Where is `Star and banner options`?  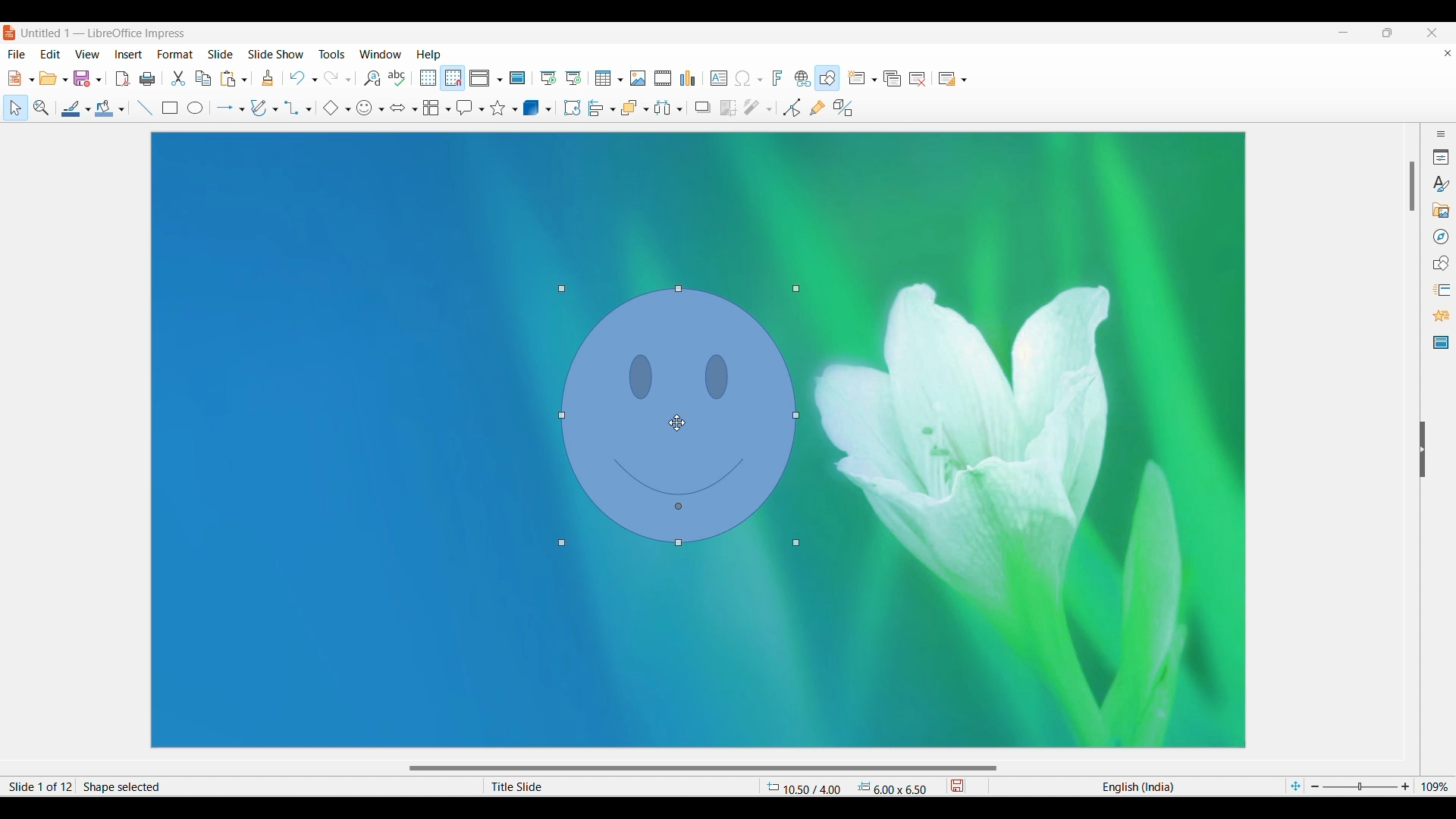 Star and banner options is located at coordinates (515, 110).